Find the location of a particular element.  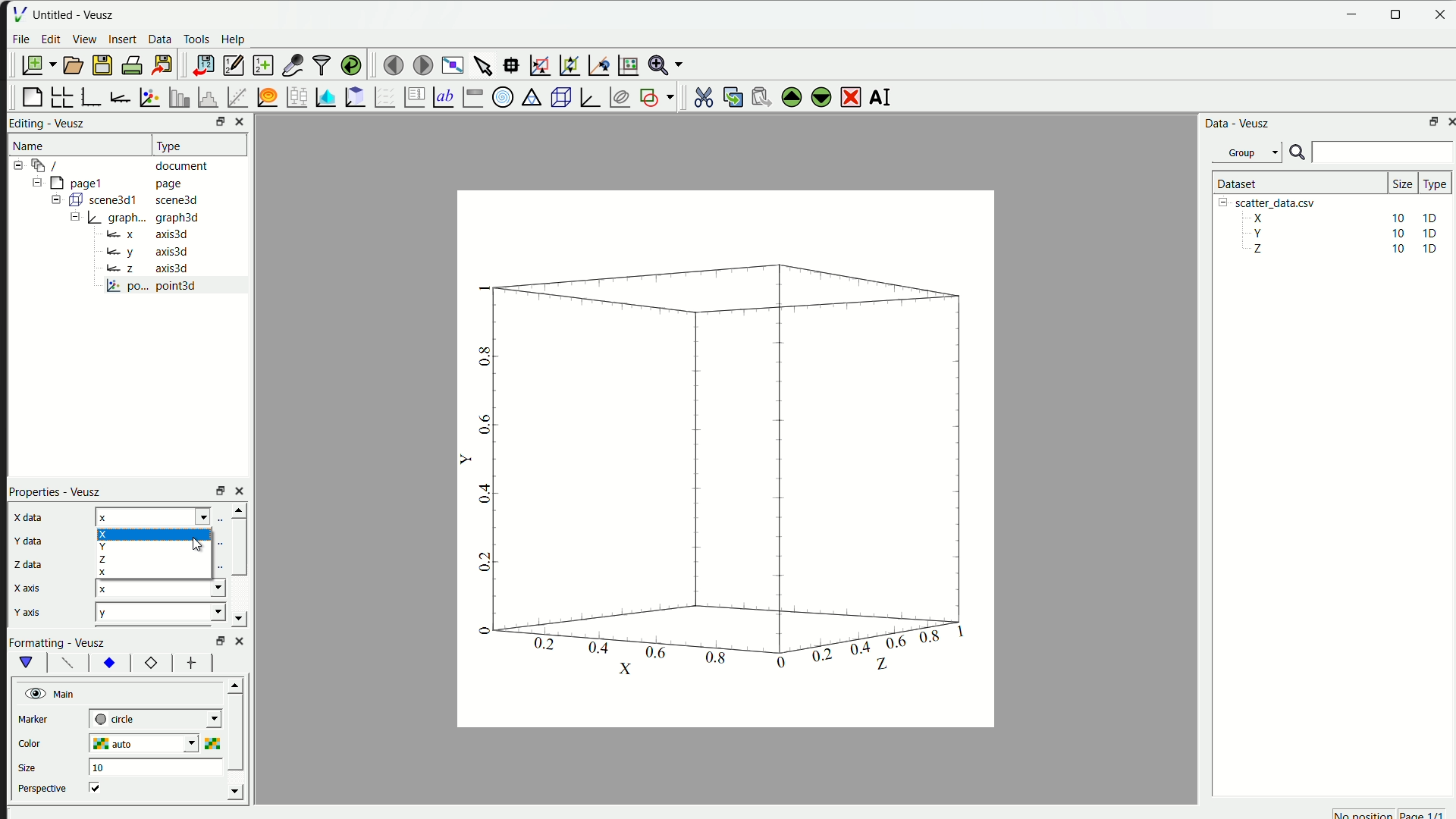

create a new dataset is located at coordinates (262, 64).